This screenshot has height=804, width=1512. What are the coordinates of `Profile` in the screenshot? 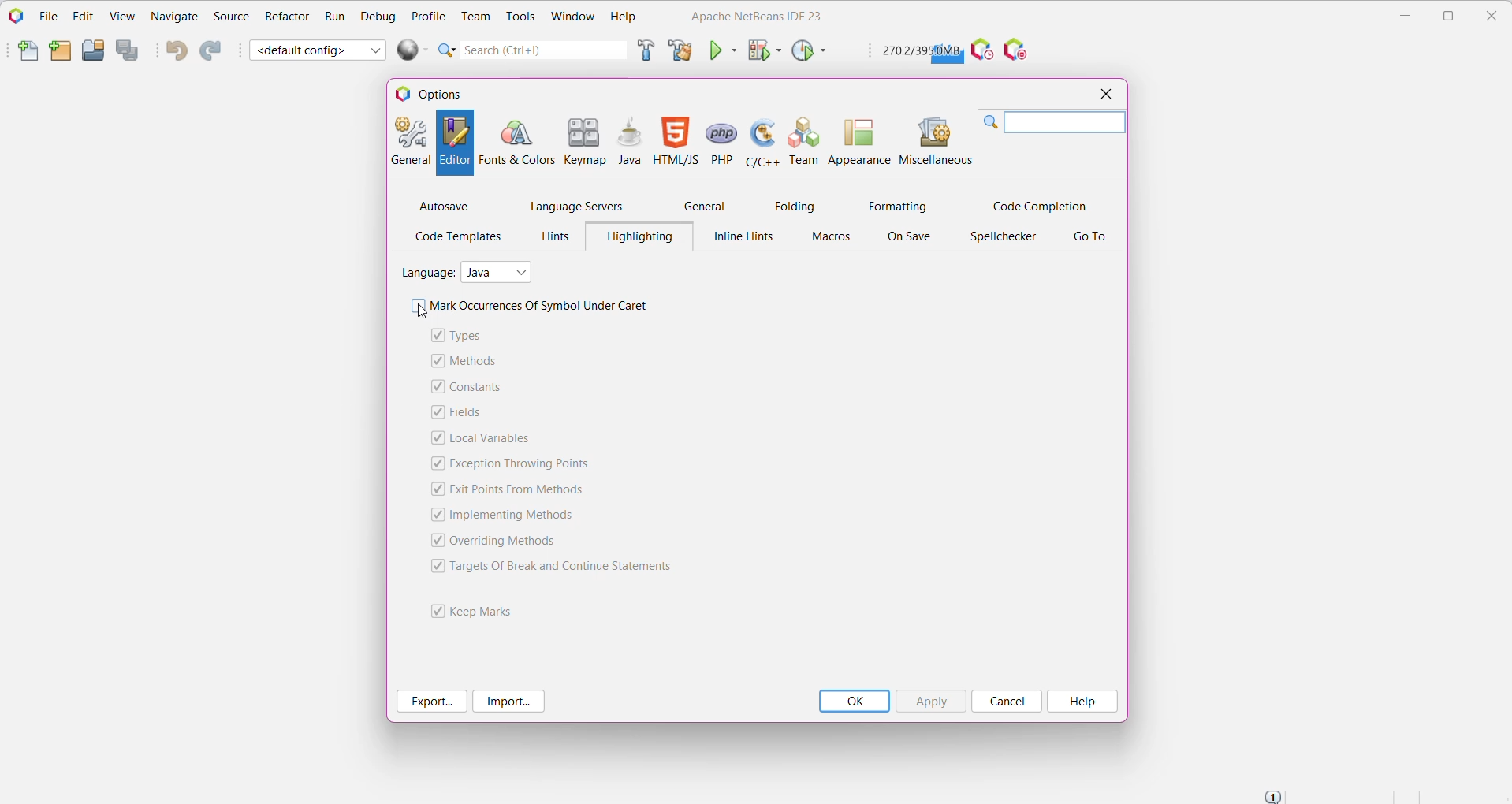 It's located at (429, 15).